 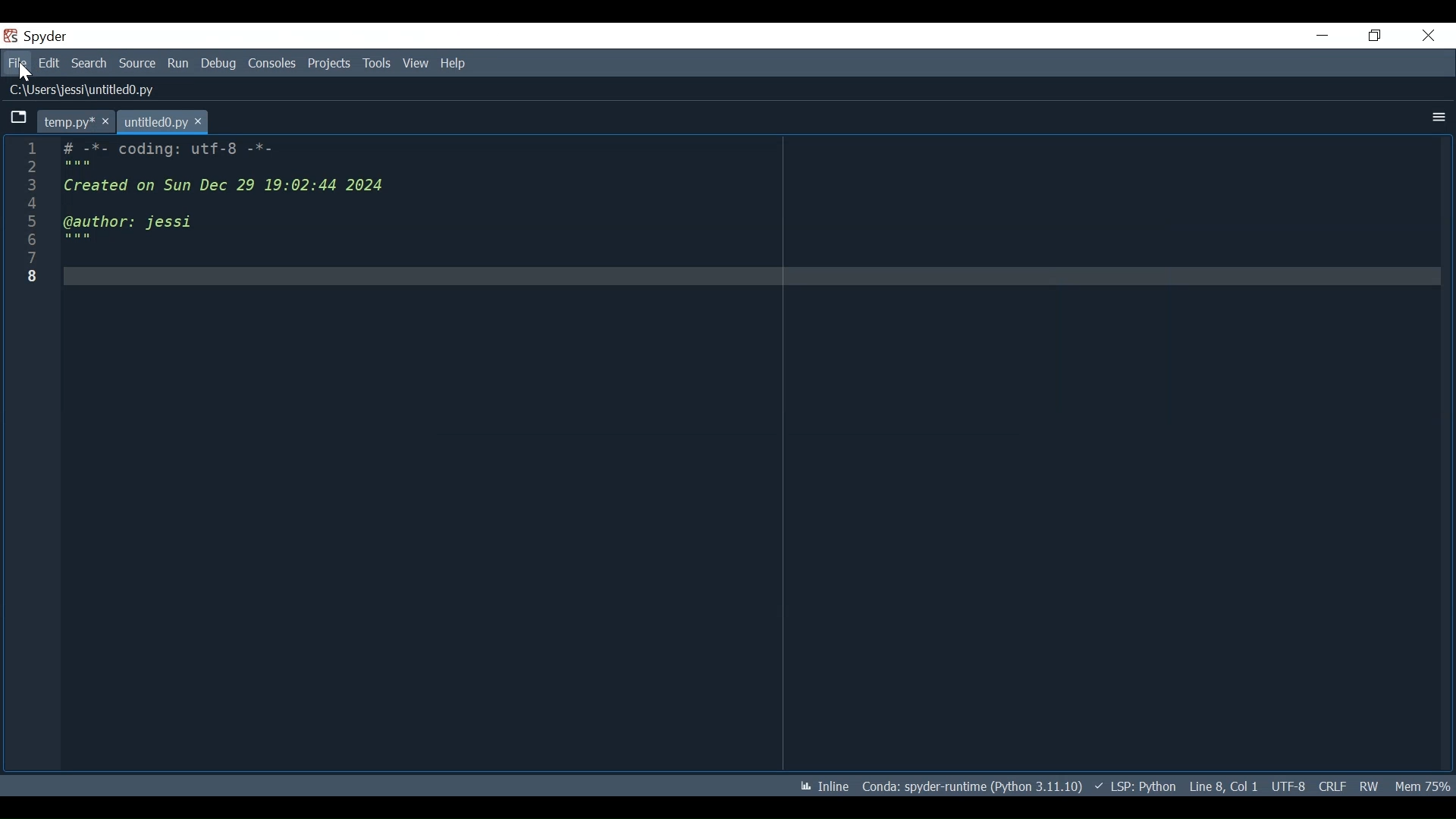 What do you see at coordinates (12, 36) in the screenshot?
I see `Spyder Desktop Icon` at bounding box center [12, 36].